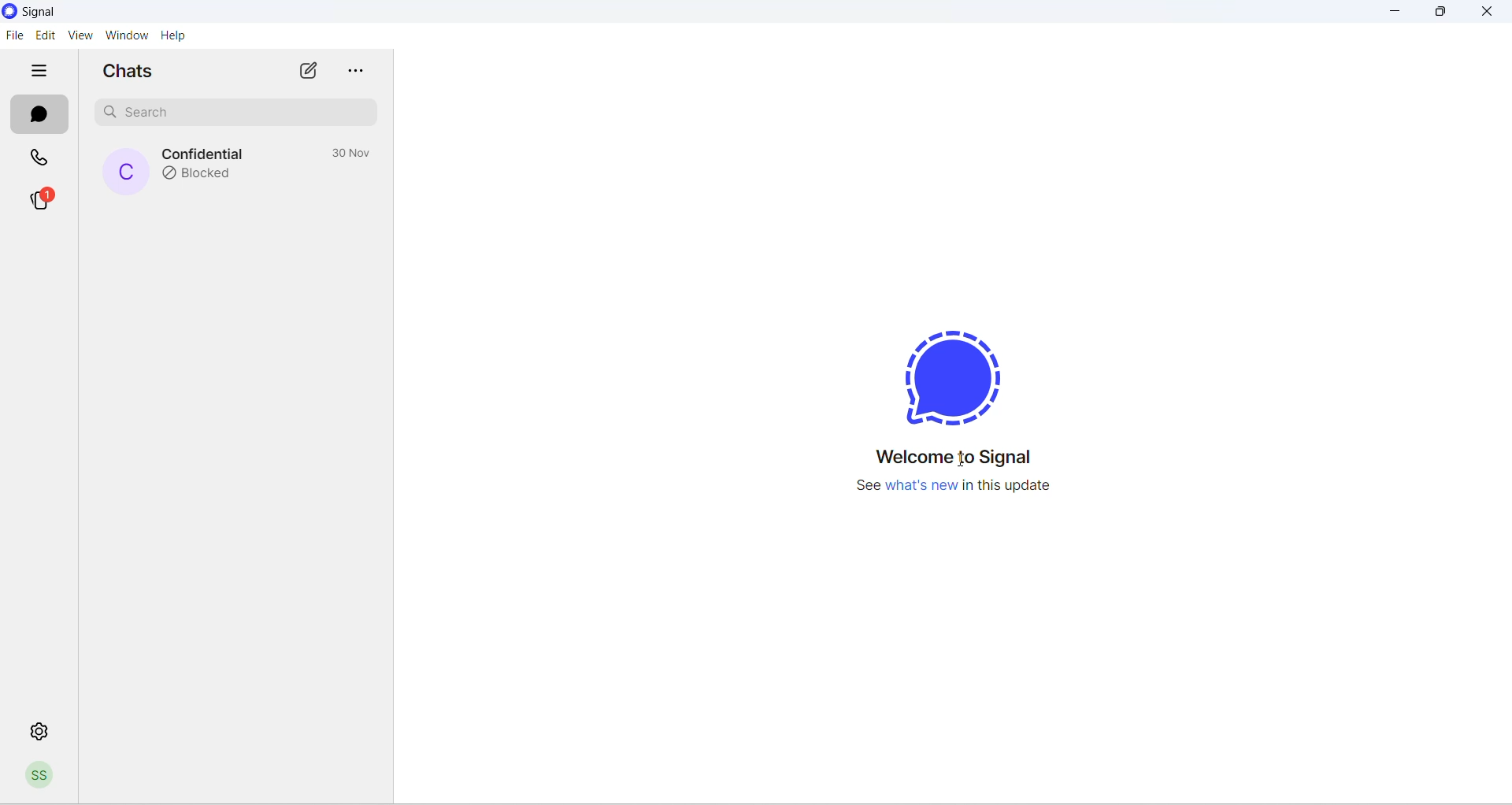 The height and width of the screenshot is (805, 1512). I want to click on stories, so click(41, 200).